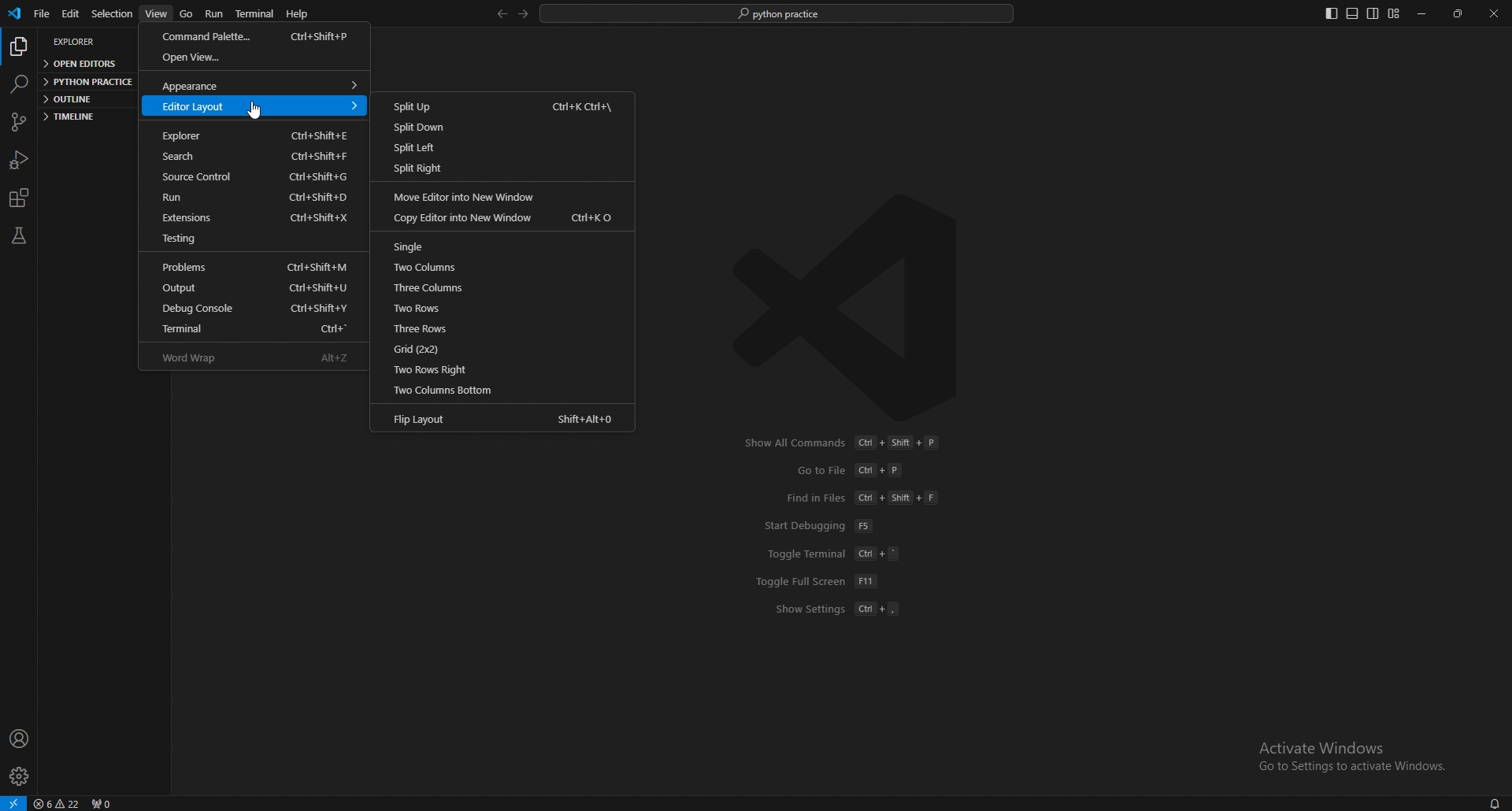  I want to click on threee rows, so click(491, 330).